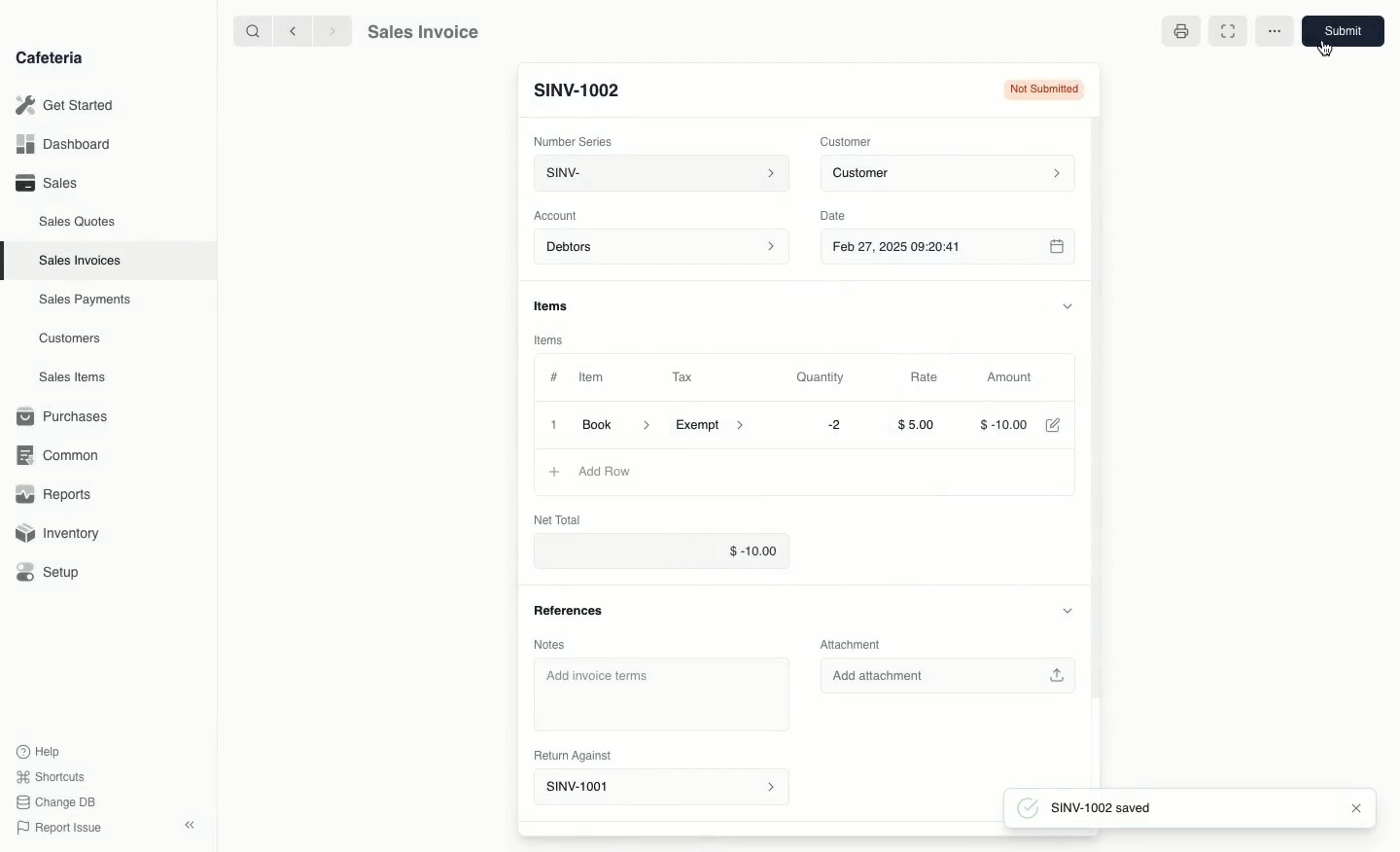  Describe the element at coordinates (59, 801) in the screenshot. I see `Change DB` at that location.